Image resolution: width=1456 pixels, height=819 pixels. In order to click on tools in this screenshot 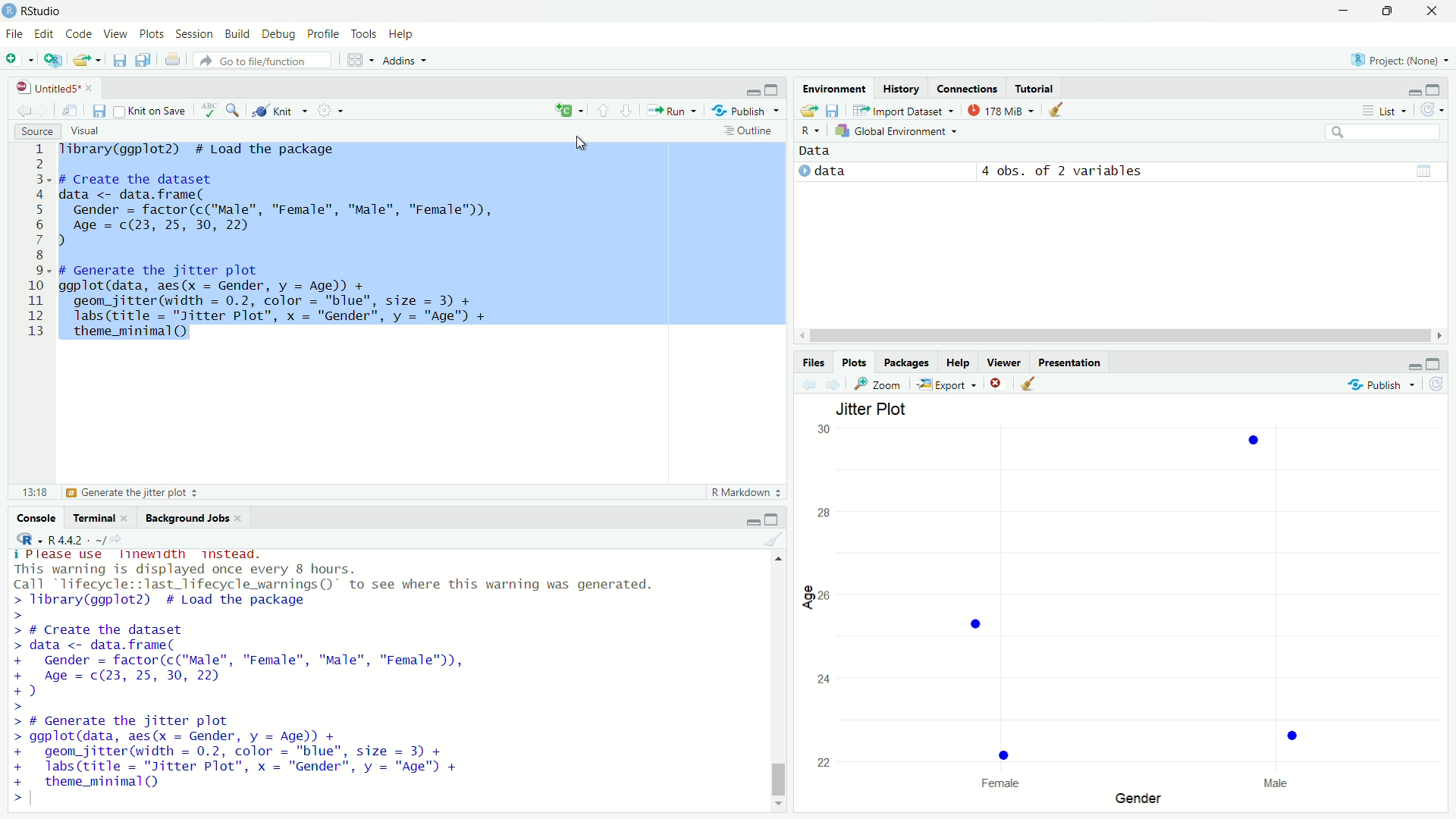, I will do `click(366, 32)`.